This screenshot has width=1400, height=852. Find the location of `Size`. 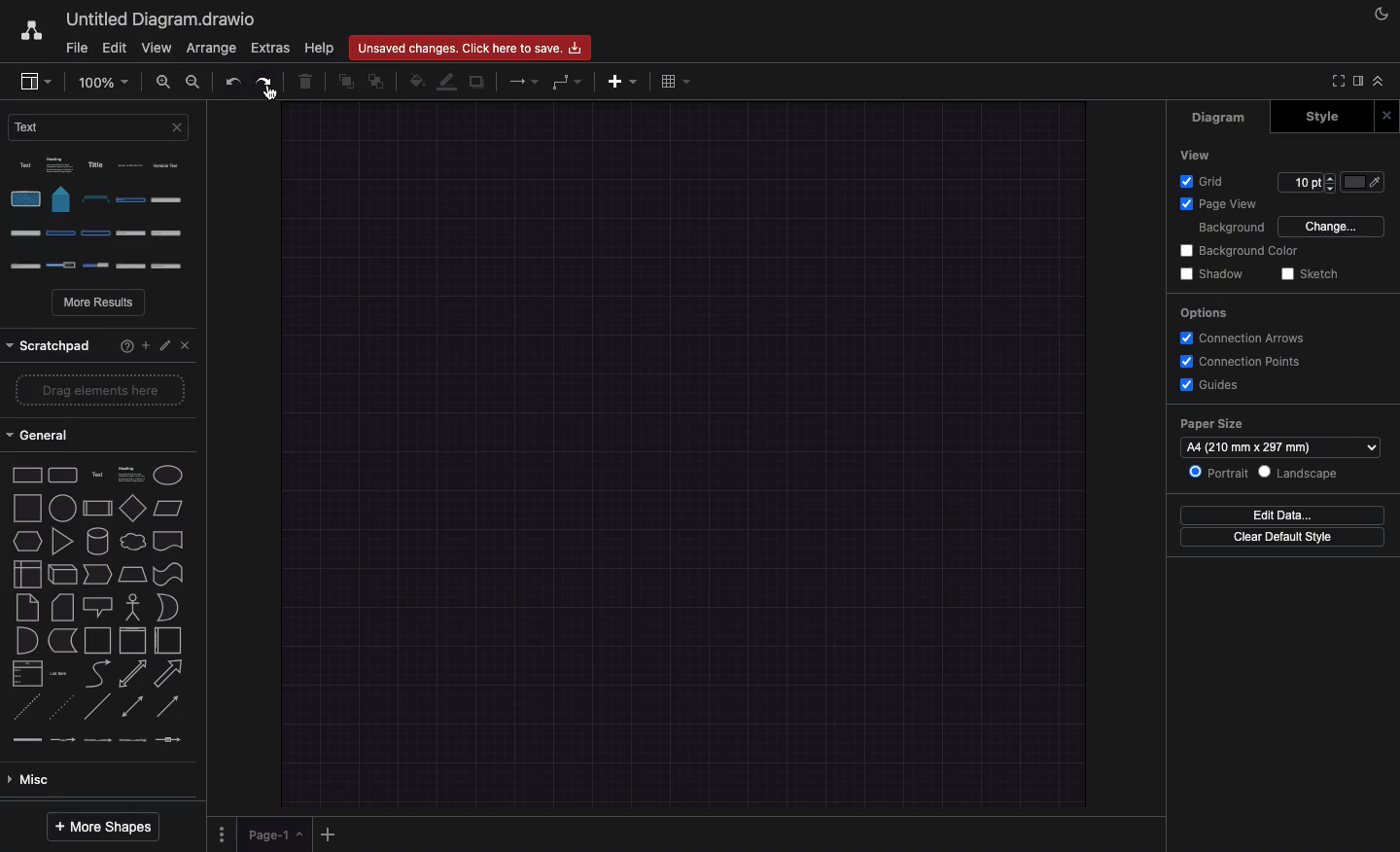

Size is located at coordinates (1307, 183).